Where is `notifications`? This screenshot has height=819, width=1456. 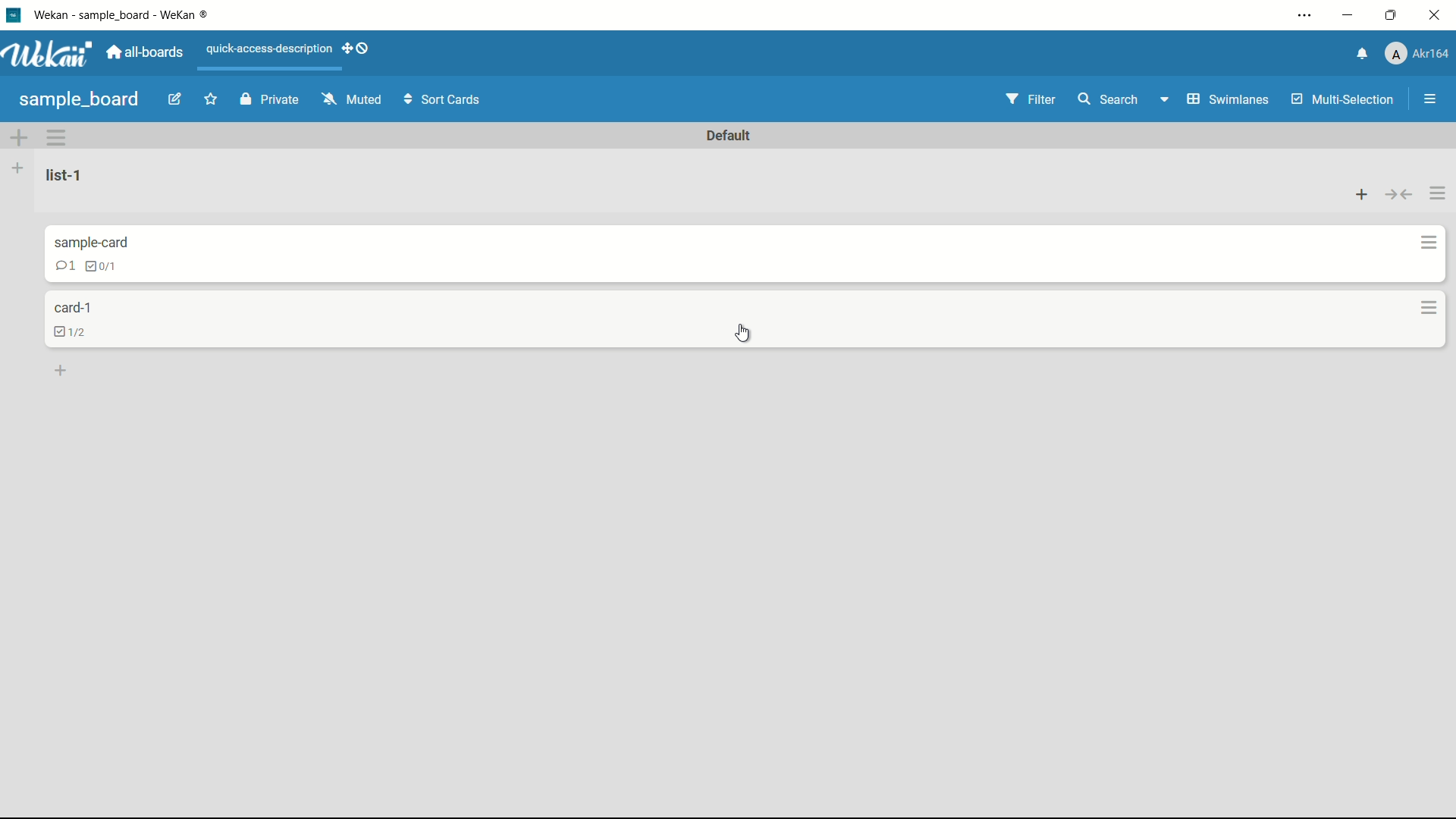
notifications is located at coordinates (1356, 57).